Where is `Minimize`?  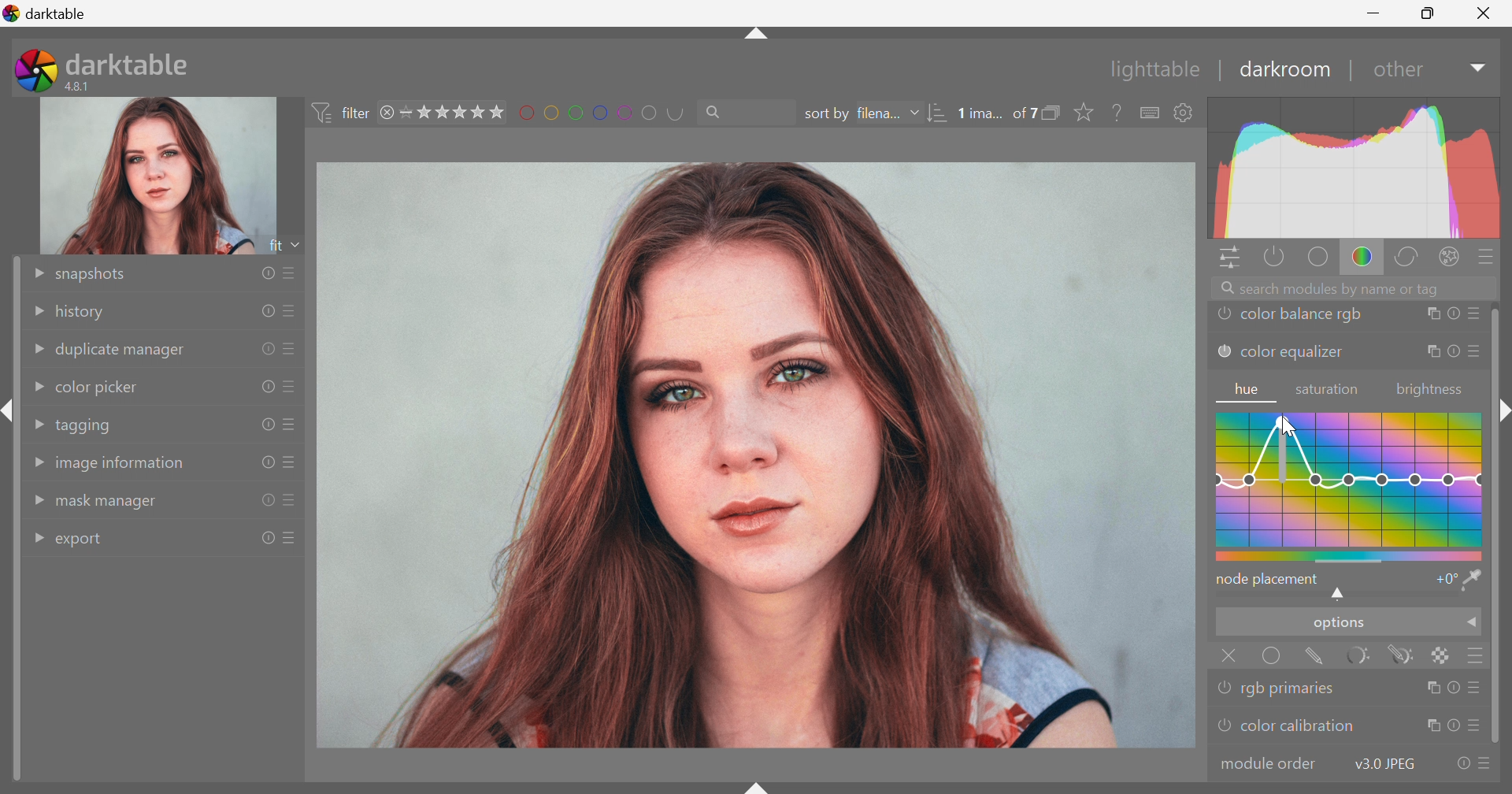
Minimize is located at coordinates (1373, 13).